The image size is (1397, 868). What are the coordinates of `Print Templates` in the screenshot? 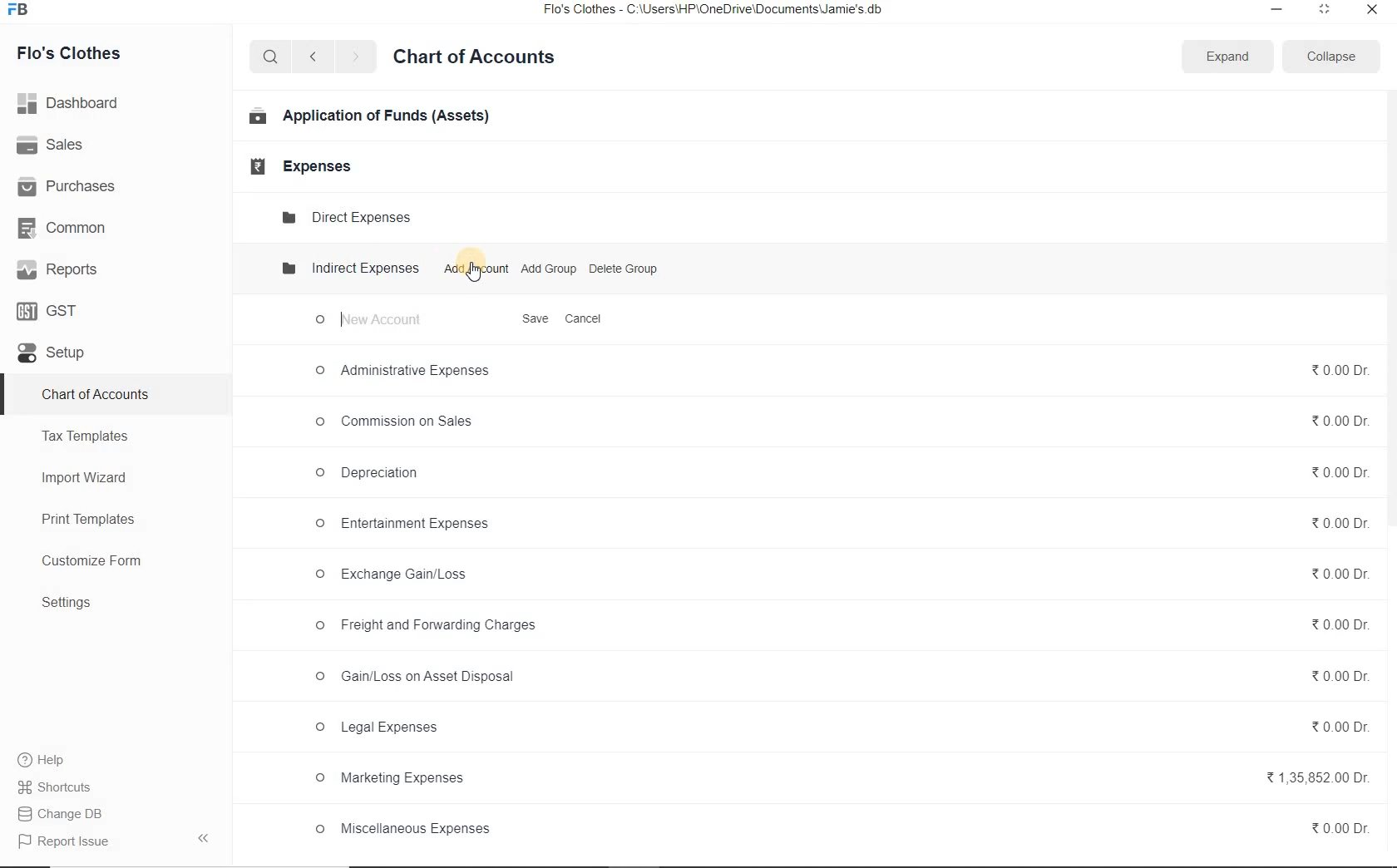 It's located at (88, 520).